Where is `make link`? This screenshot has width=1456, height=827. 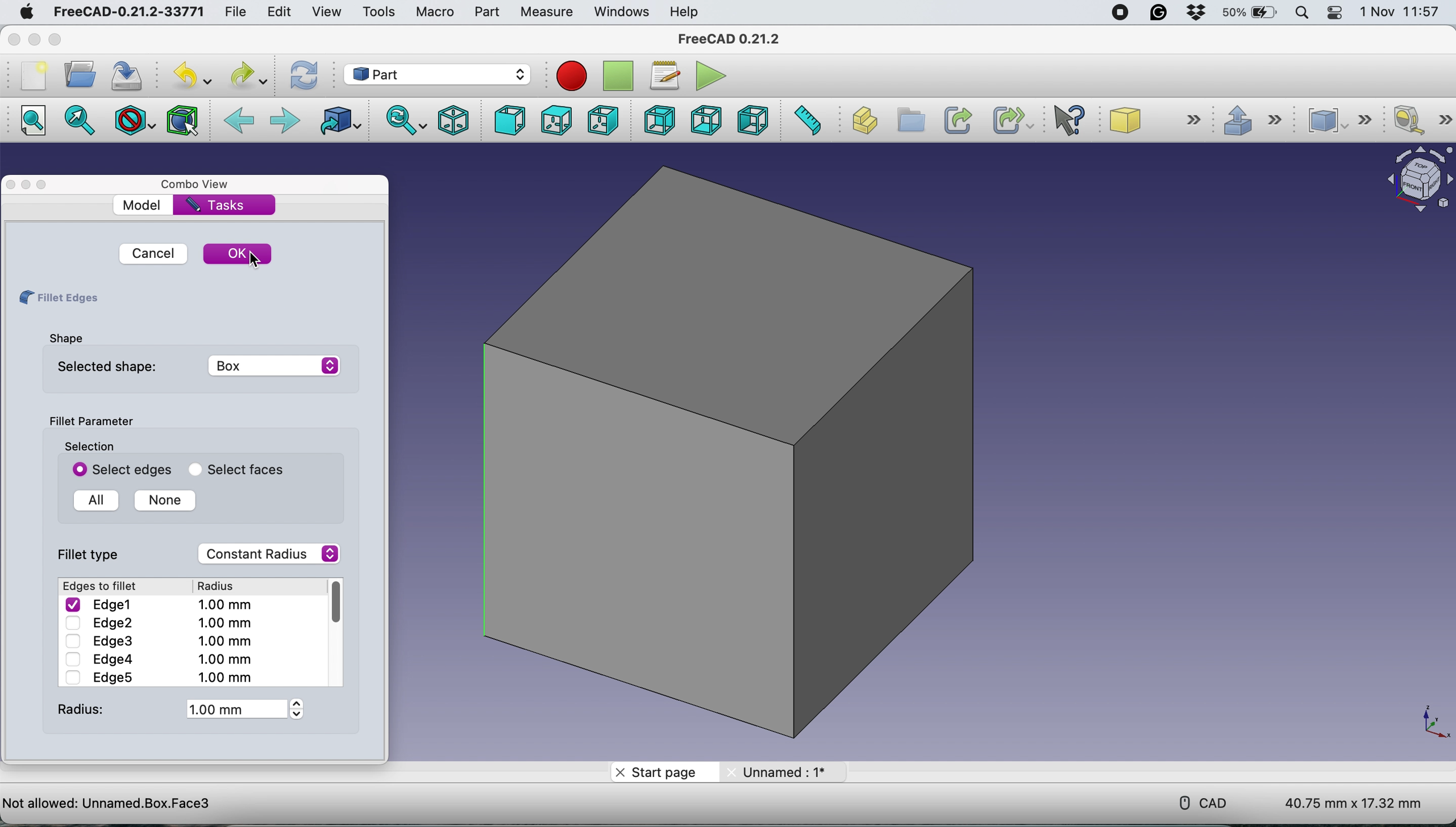 make link is located at coordinates (956, 119).